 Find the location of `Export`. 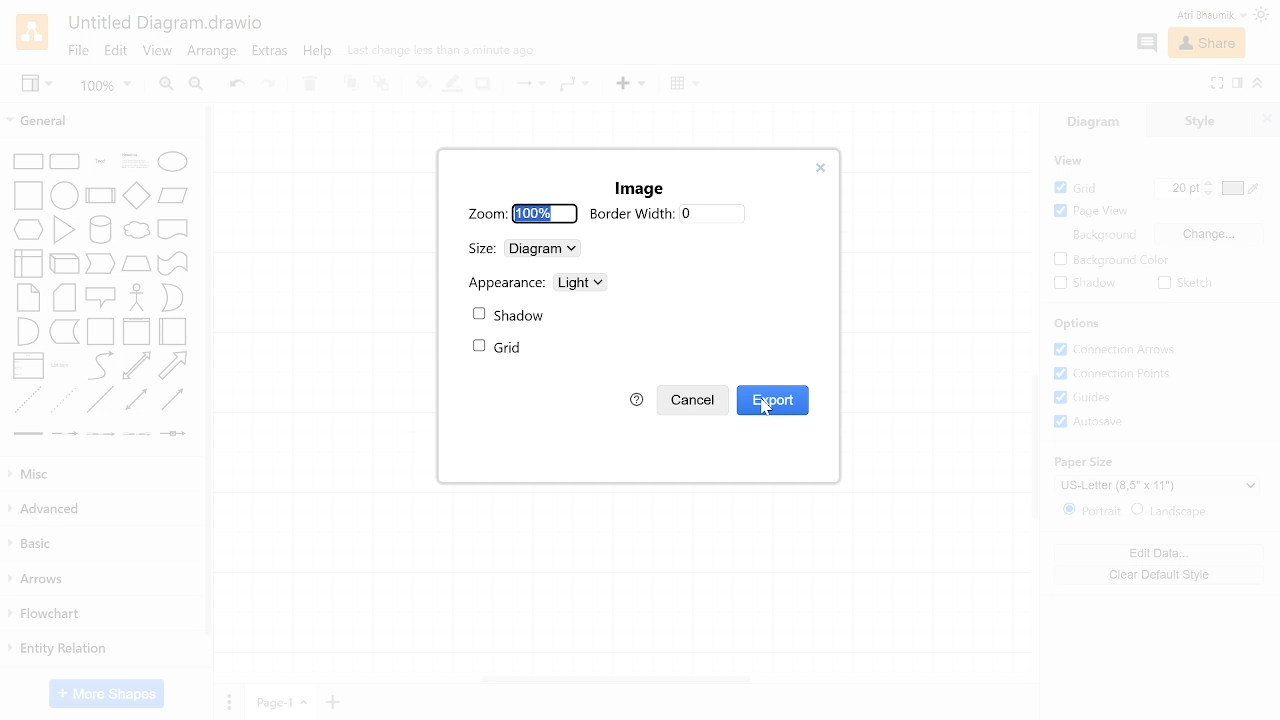

Export is located at coordinates (773, 398).